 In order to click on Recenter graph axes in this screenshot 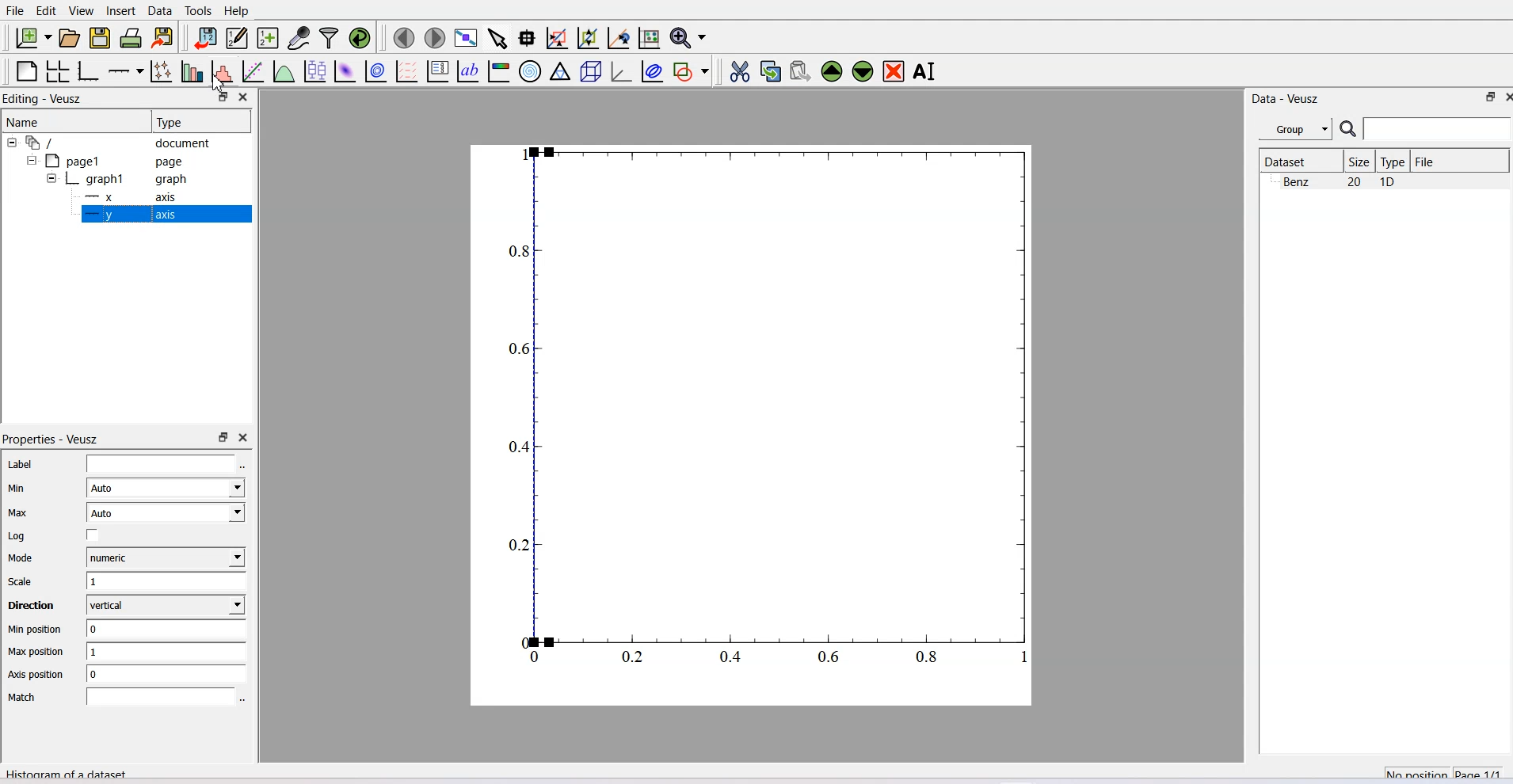, I will do `click(619, 37)`.